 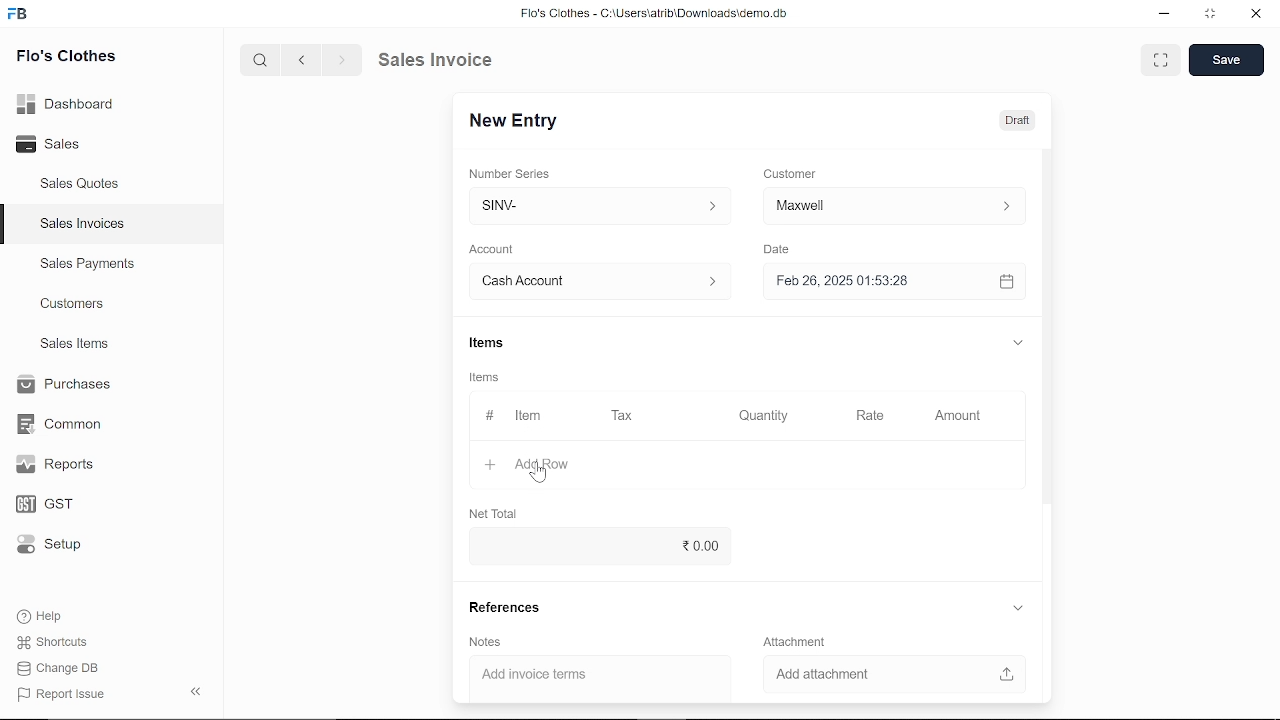 What do you see at coordinates (342, 60) in the screenshot?
I see `next` at bounding box center [342, 60].